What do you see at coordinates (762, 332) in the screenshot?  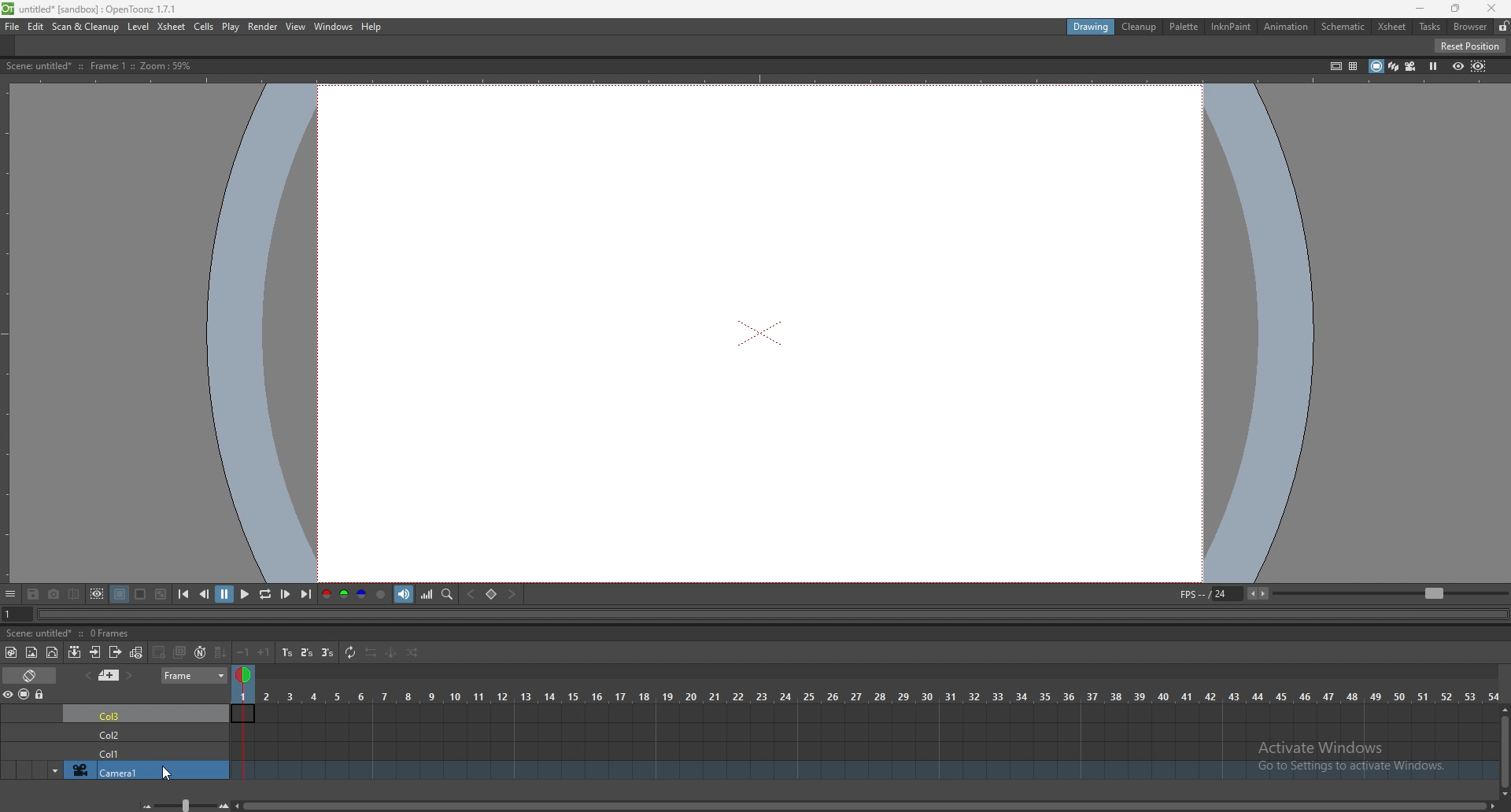 I see `animation area` at bounding box center [762, 332].